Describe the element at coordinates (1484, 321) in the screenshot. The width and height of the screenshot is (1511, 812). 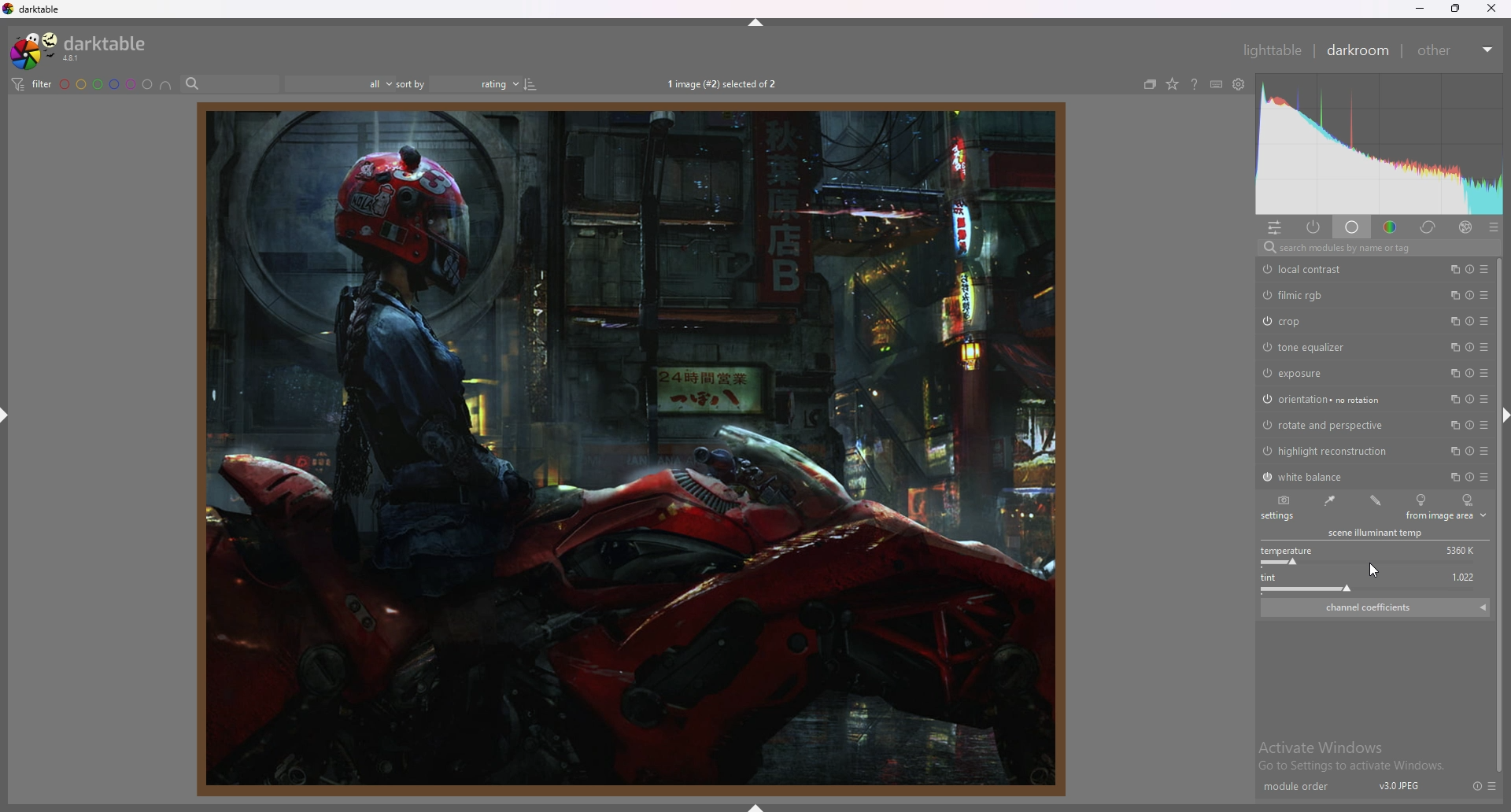
I see `presets` at that location.